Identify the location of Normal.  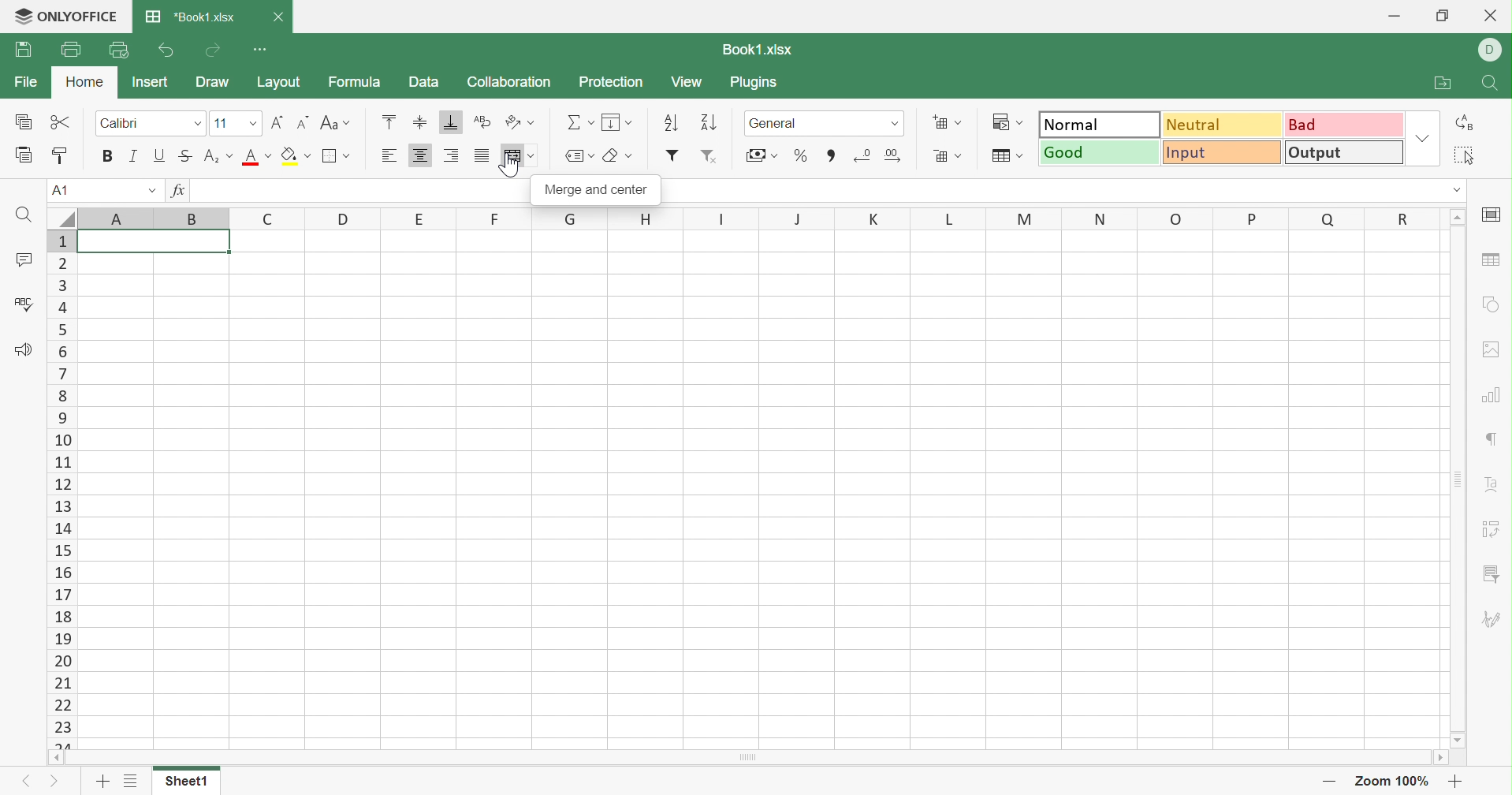
(1100, 122).